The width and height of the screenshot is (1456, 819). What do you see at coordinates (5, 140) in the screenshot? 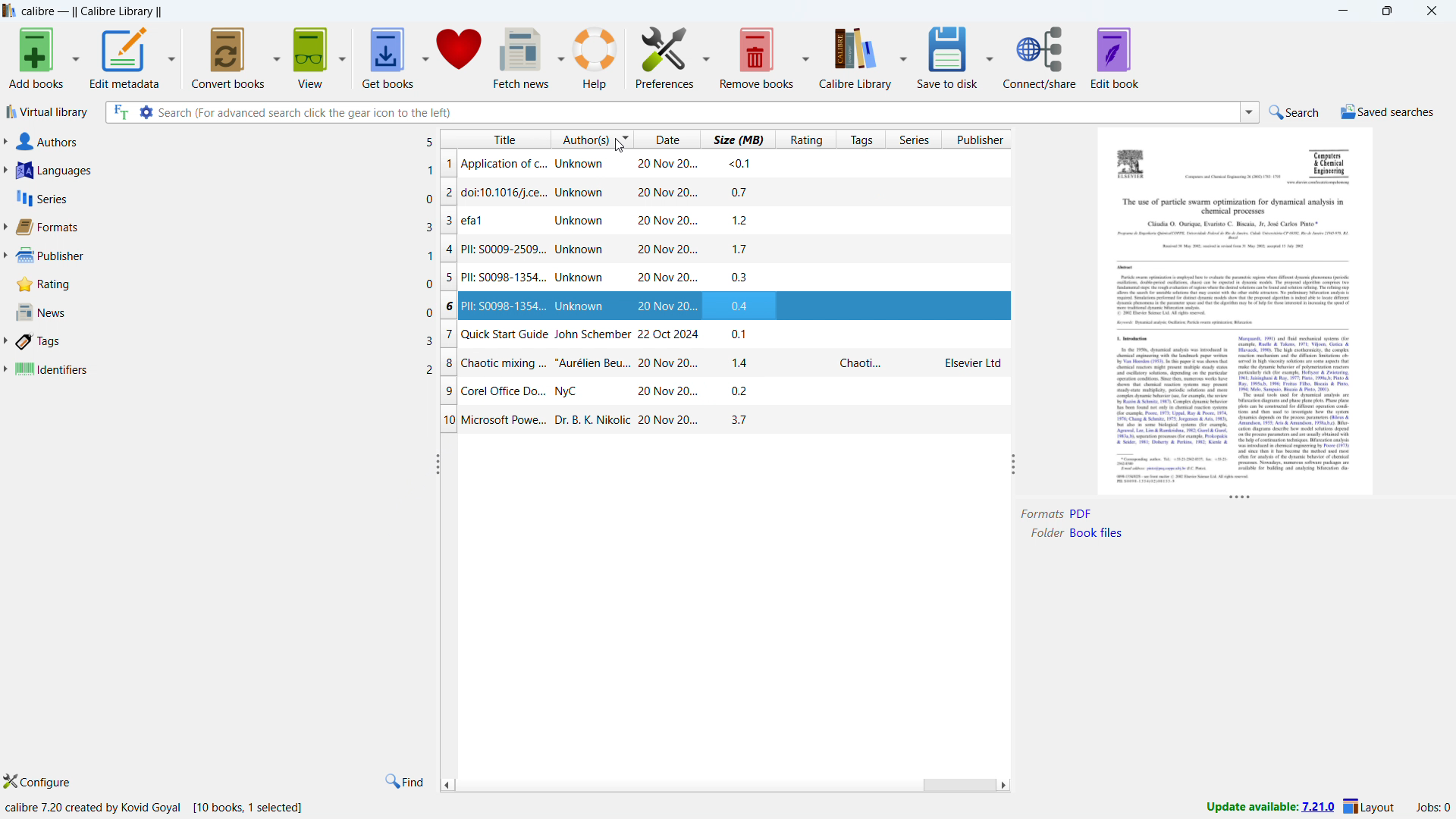
I see `expand authors` at bounding box center [5, 140].